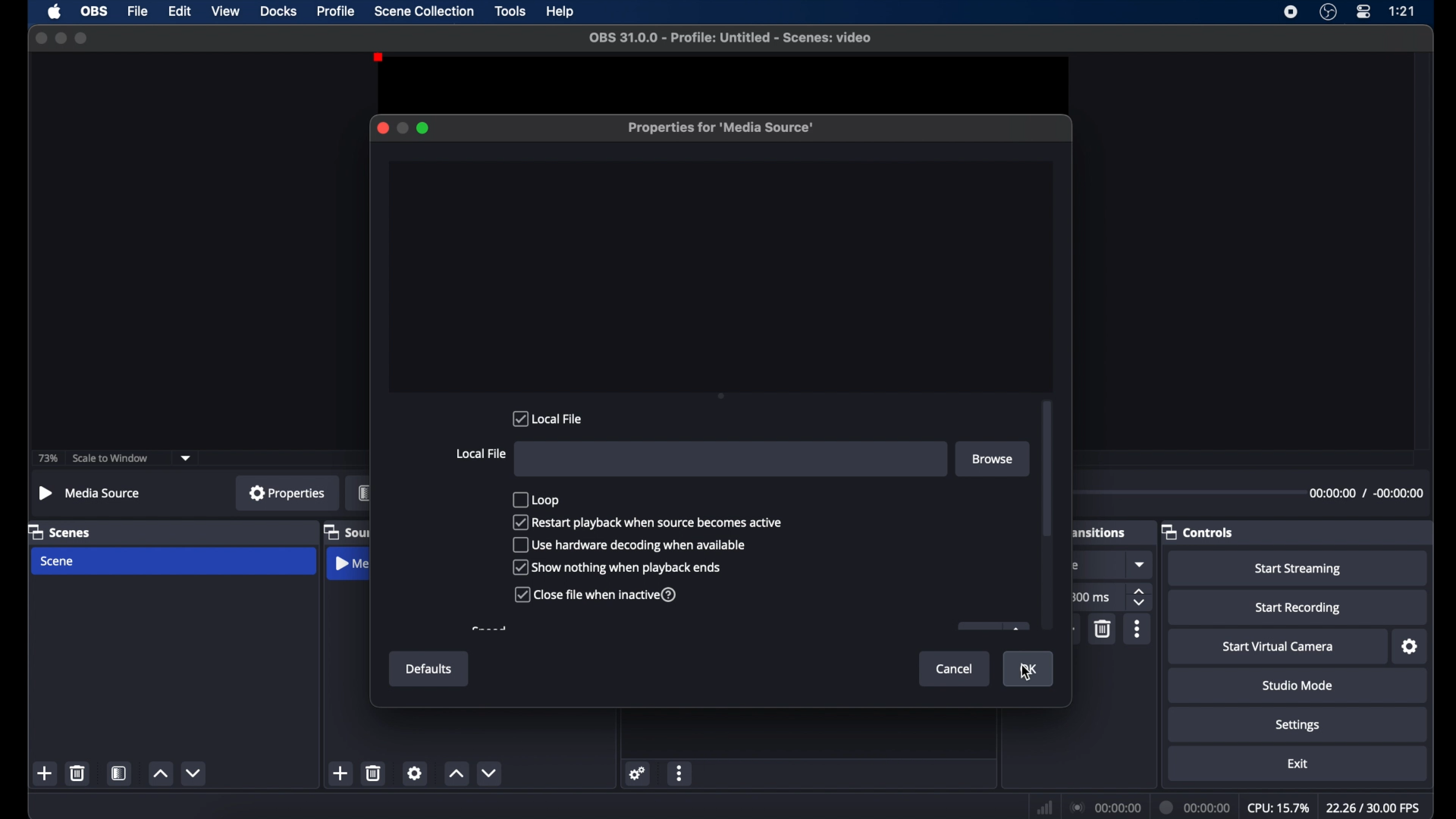  What do you see at coordinates (195, 773) in the screenshot?
I see `decrement` at bounding box center [195, 773].